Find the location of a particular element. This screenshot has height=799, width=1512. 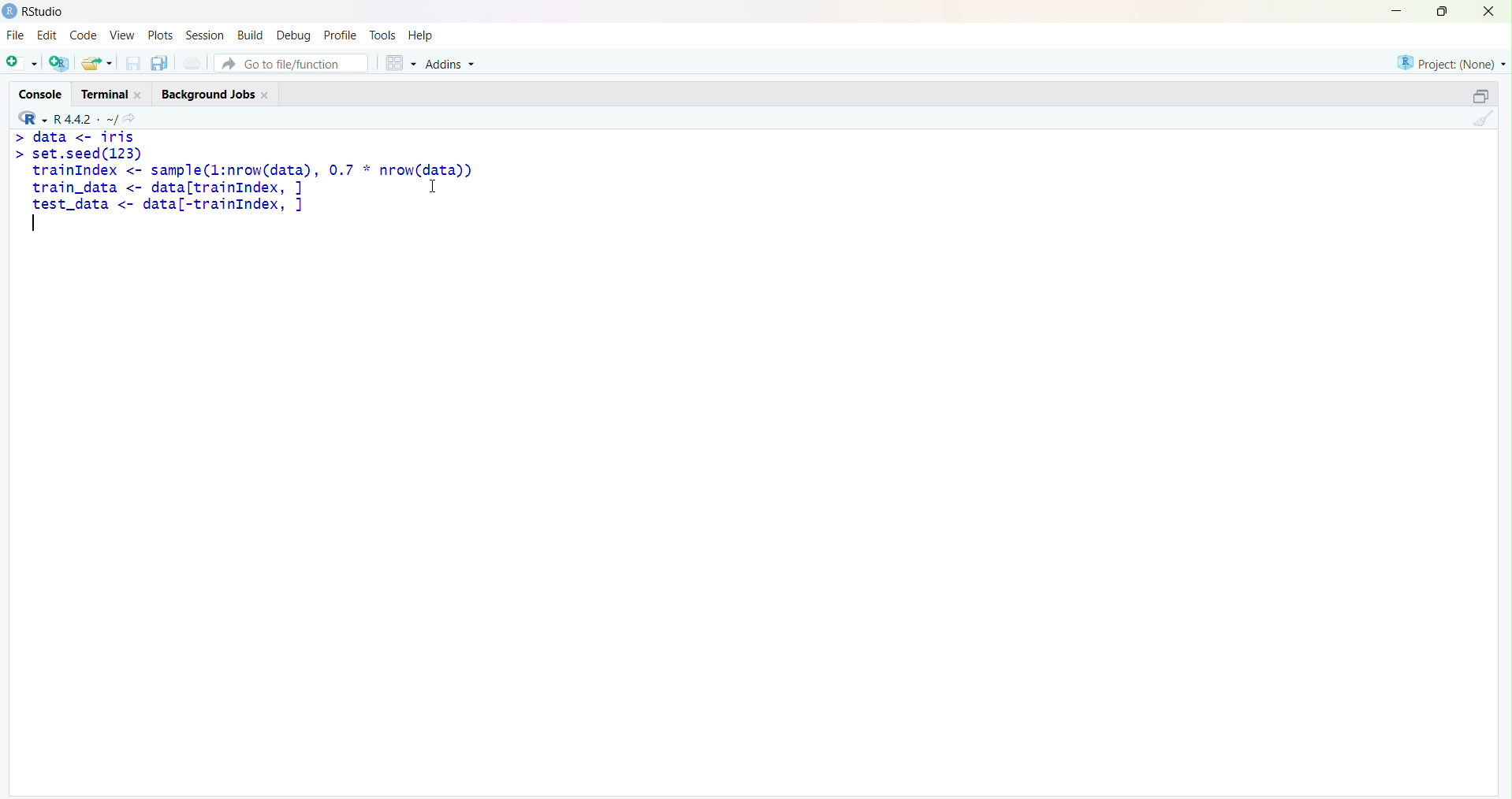

Build is located at coordinates (252, 34).